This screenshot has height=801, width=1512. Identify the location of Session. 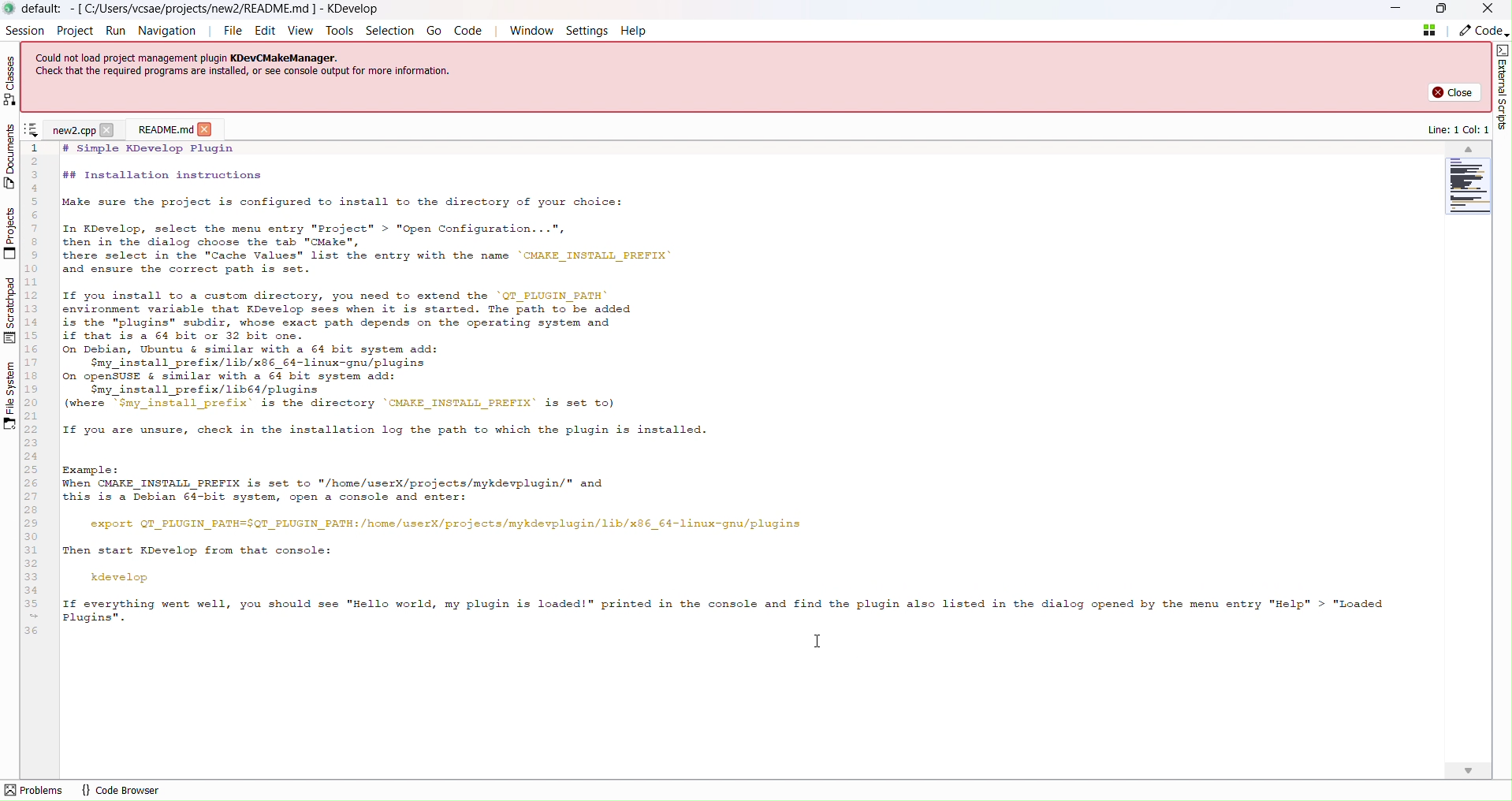
(23, 28).